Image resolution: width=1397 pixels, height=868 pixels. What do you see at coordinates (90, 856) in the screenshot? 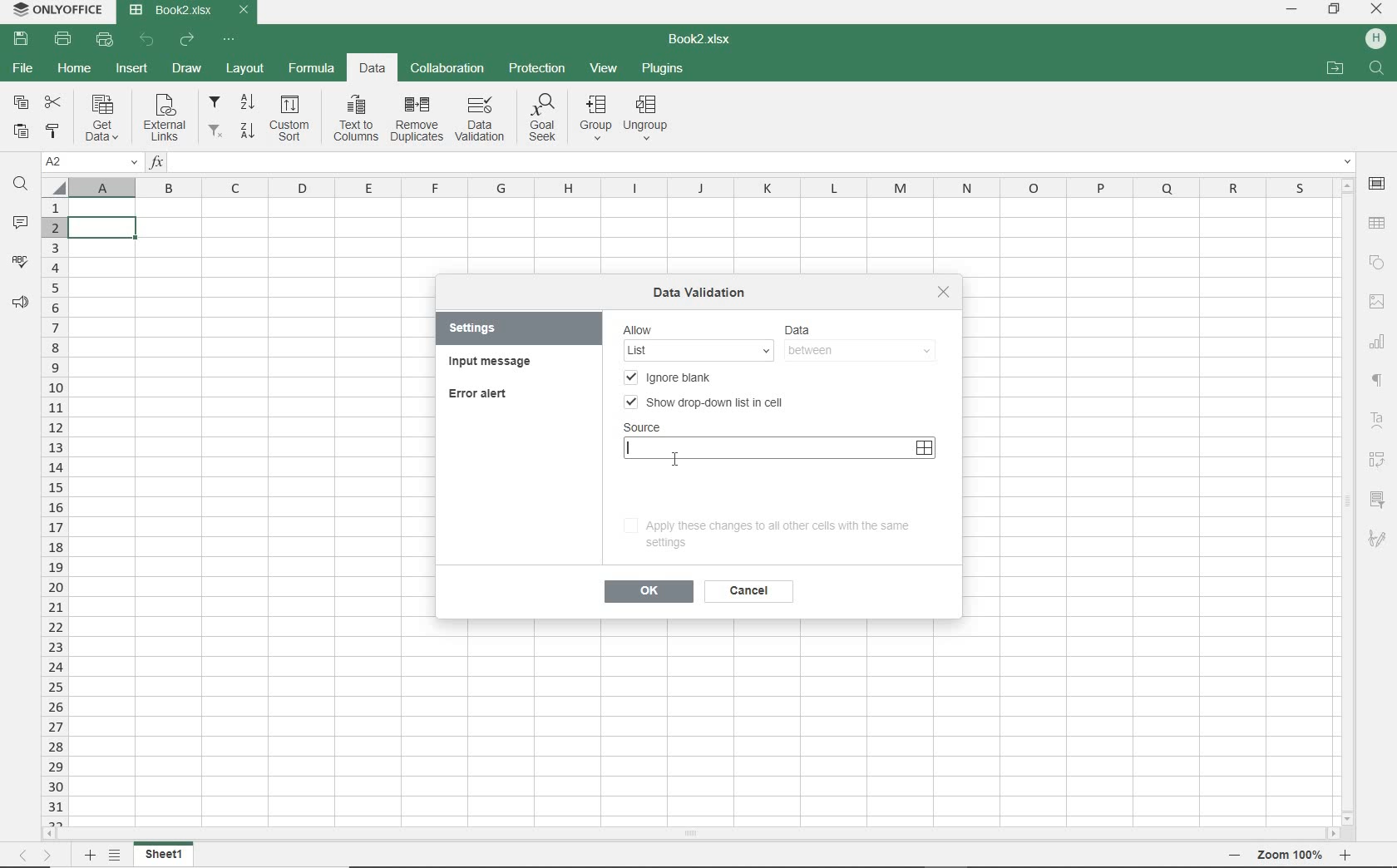
I see `ADD SHEET` at bounding box center [90, 856].